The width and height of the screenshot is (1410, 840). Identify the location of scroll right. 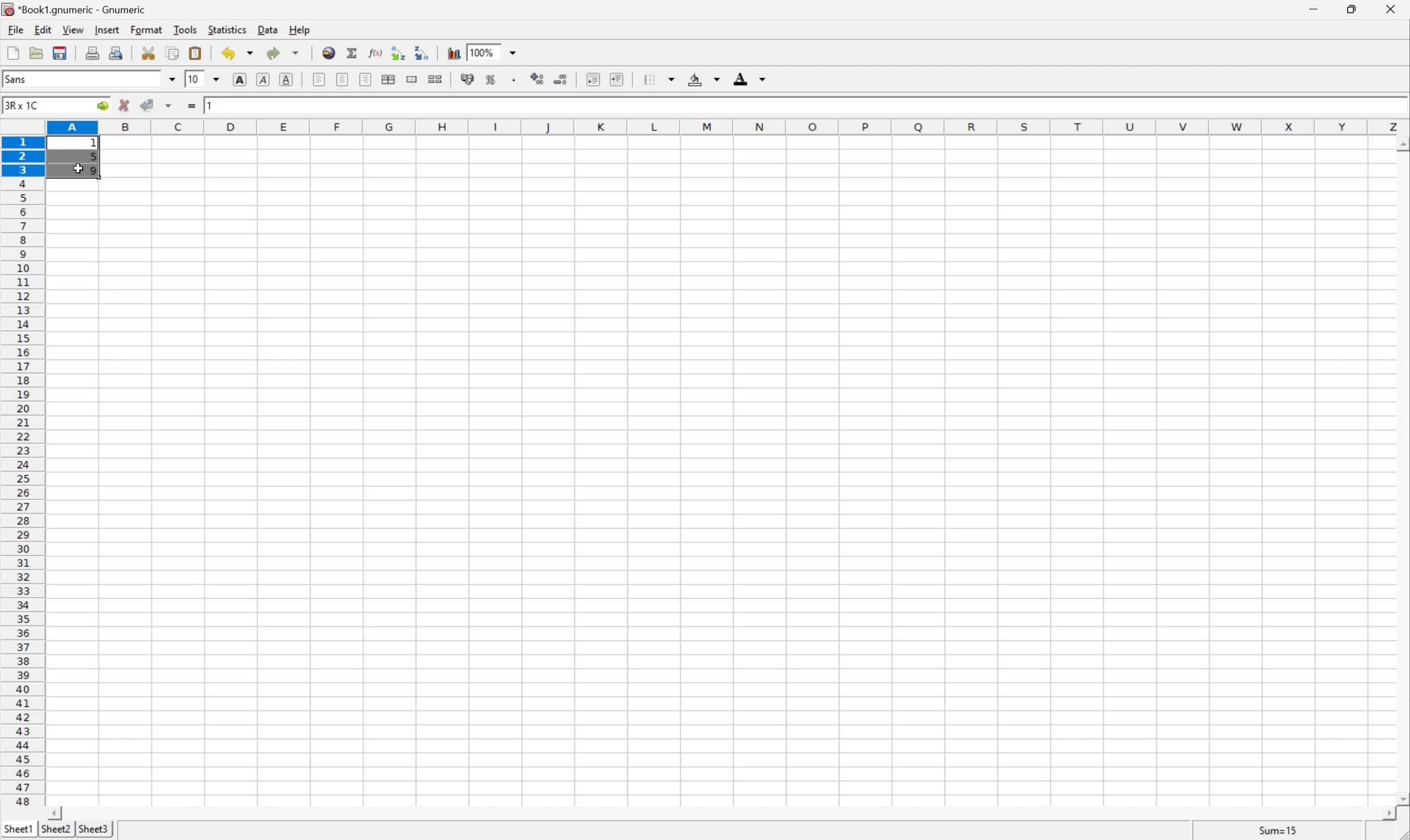
(1388, 814).